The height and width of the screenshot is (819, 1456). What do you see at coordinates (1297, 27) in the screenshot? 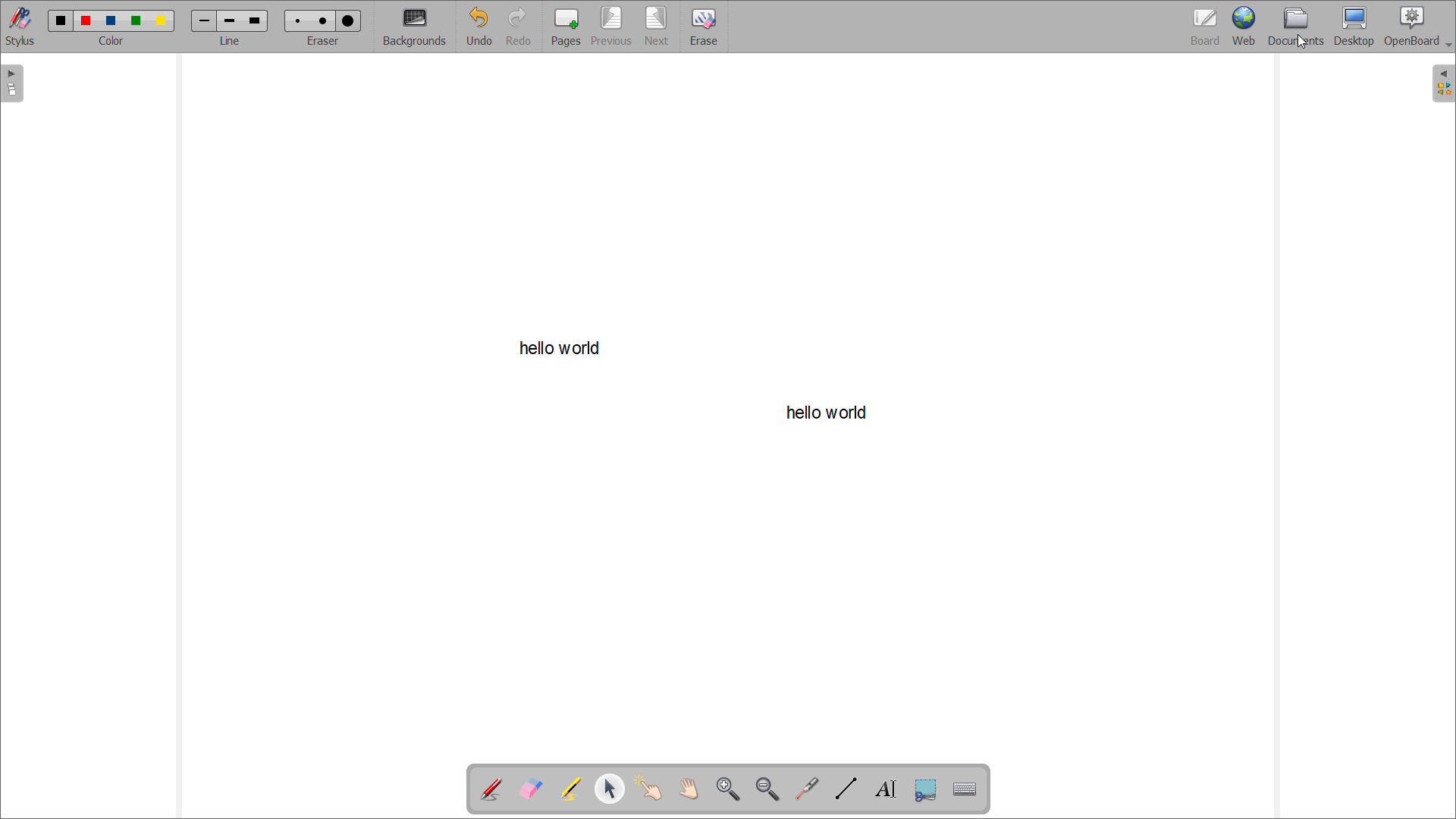
I see `documents` at bounding box center [1297, 27].